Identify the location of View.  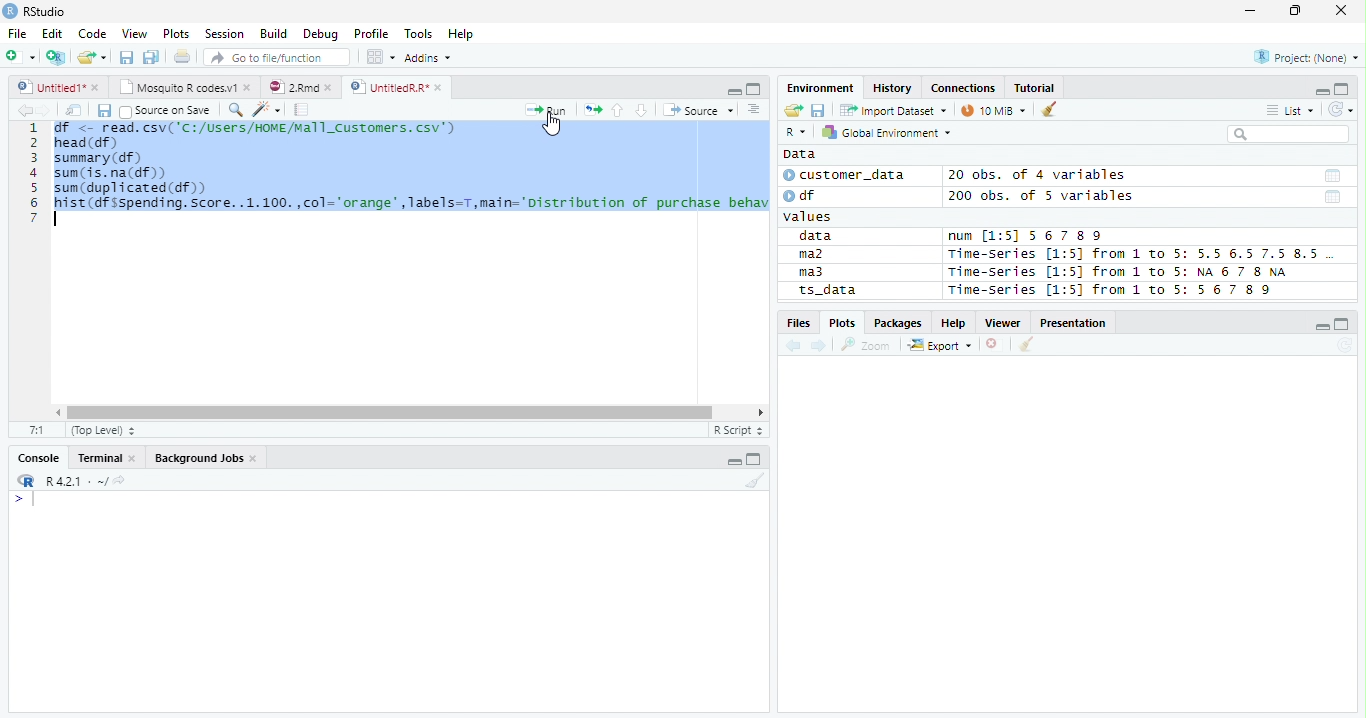
(136, 33).